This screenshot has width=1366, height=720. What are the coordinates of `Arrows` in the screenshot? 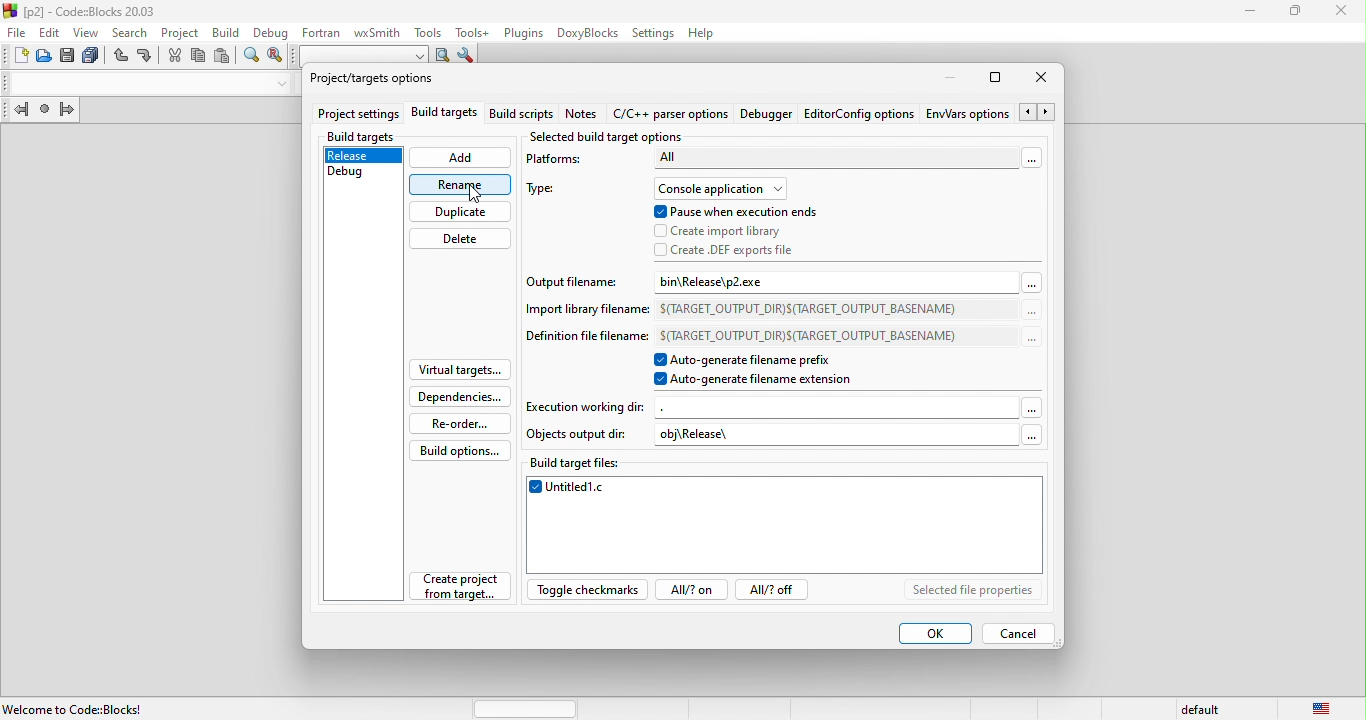 It's located at (1039, 113).